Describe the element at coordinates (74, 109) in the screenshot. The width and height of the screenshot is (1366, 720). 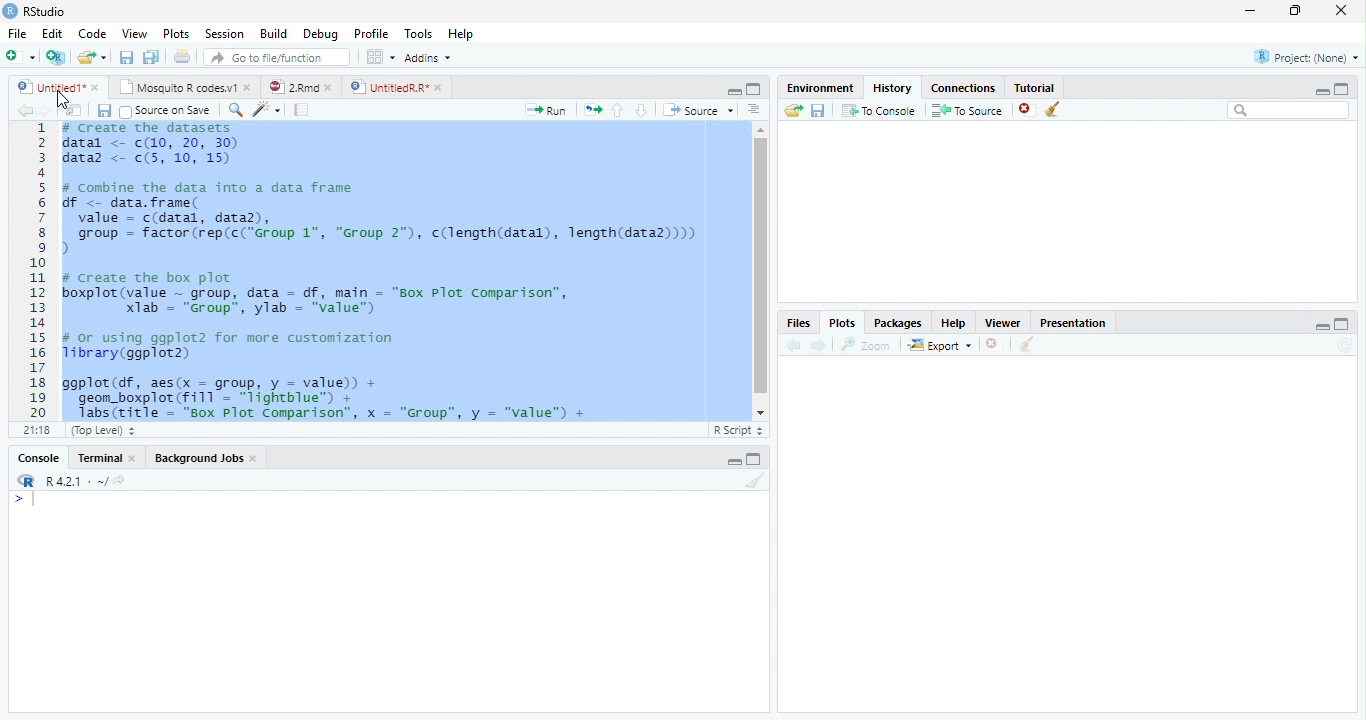
I see `Show in new window` at that location.